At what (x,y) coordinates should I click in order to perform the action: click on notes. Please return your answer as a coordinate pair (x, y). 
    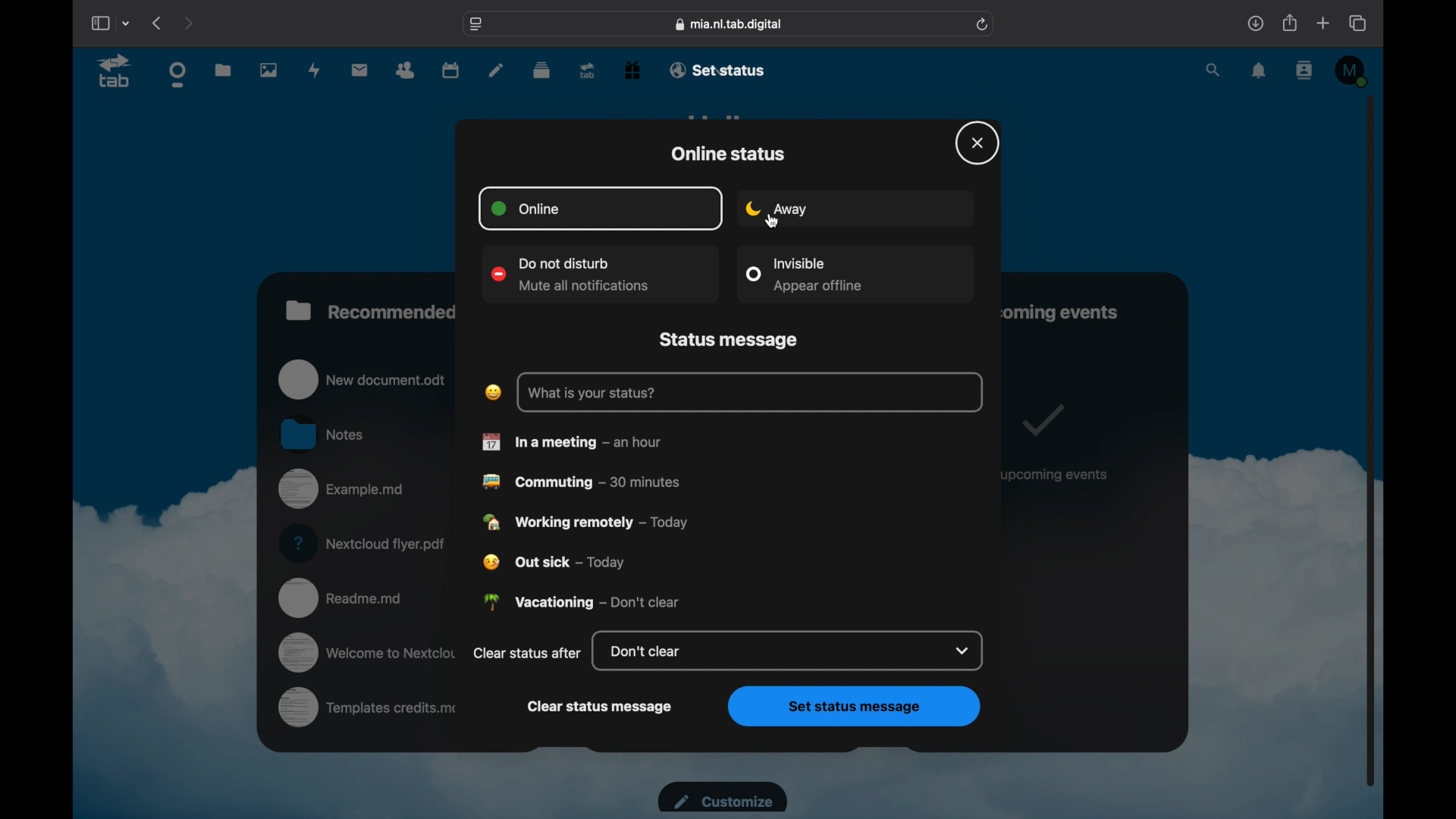
    Looking at the image, I should click on (324, 433).